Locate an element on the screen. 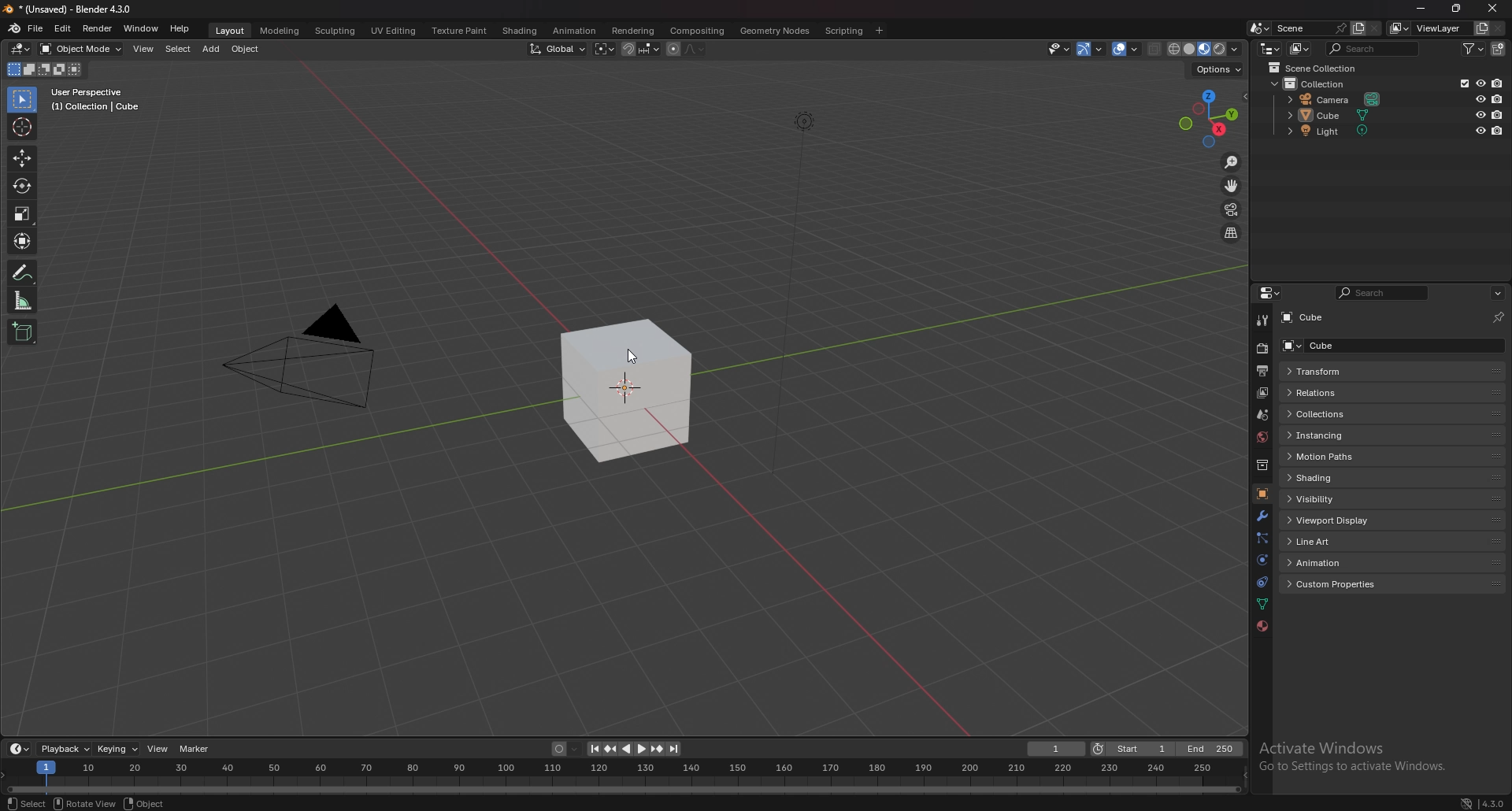  physics is located at coordinates (1262, 560).